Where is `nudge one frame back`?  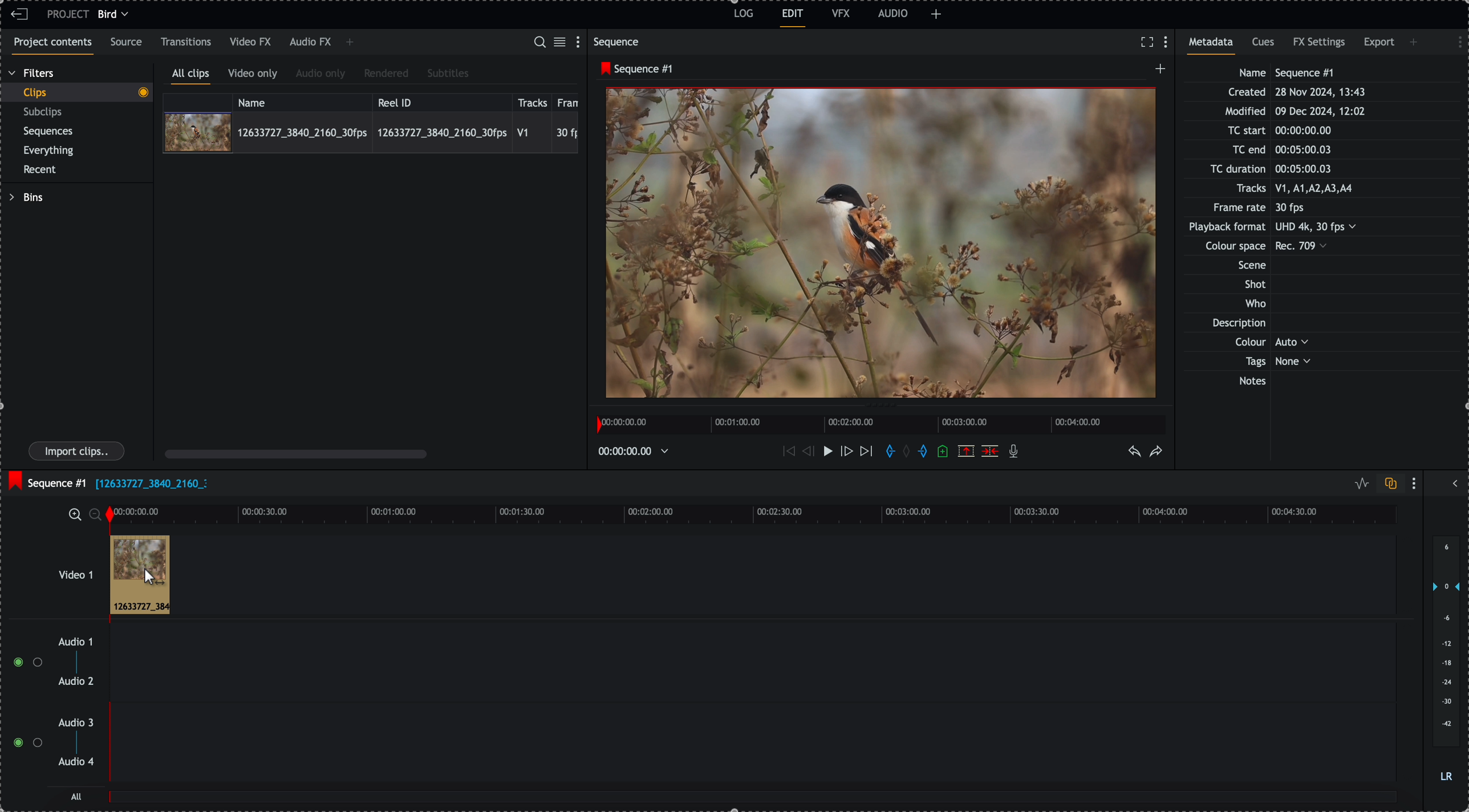
nudge one frame back is located at coordinates (805, 450).